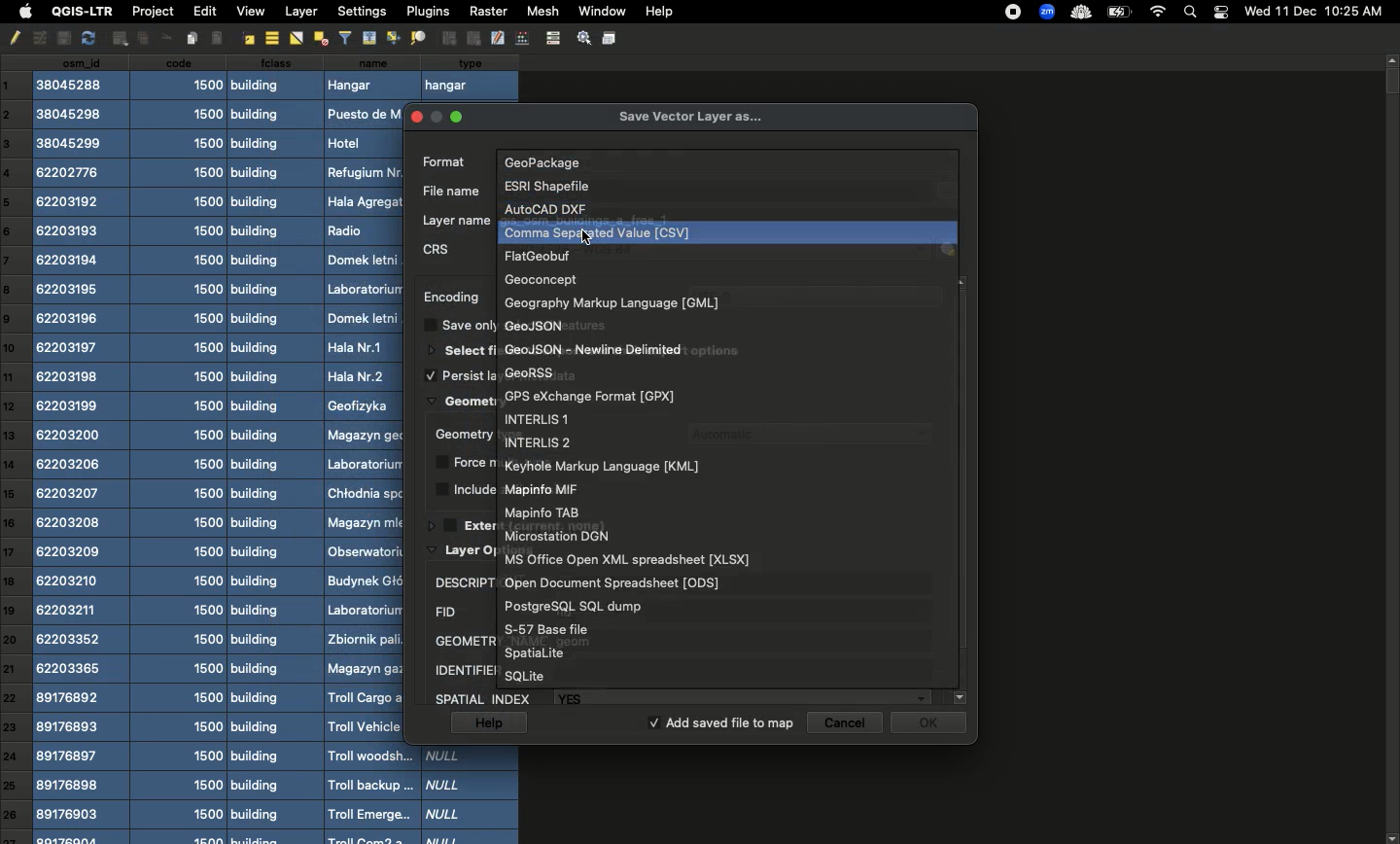 The image size is (1400, 844). Describe the element at coordinates (550, 182) in the screenshot. I see `Format` at that location.